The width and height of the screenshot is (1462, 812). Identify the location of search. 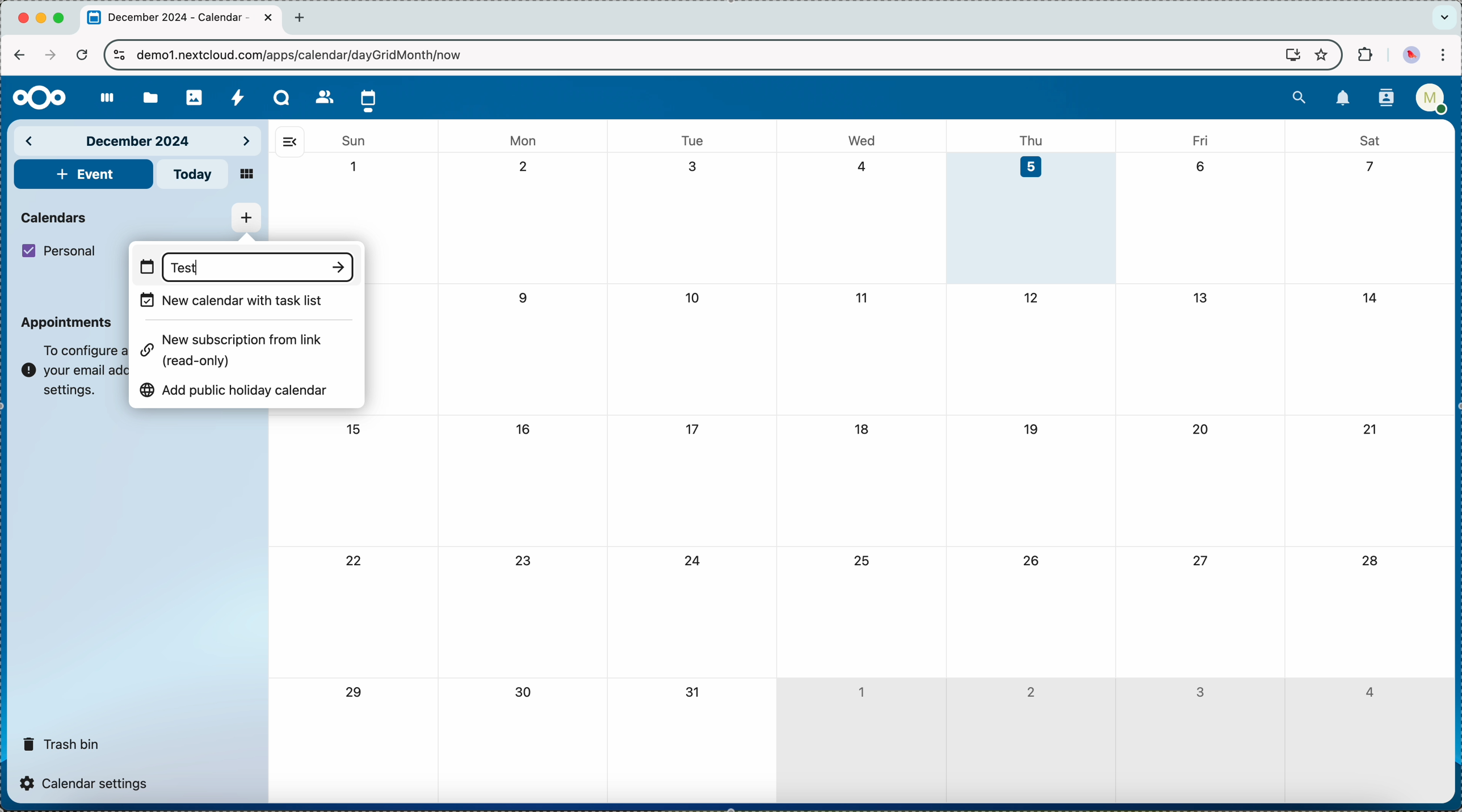
(1299, 96).